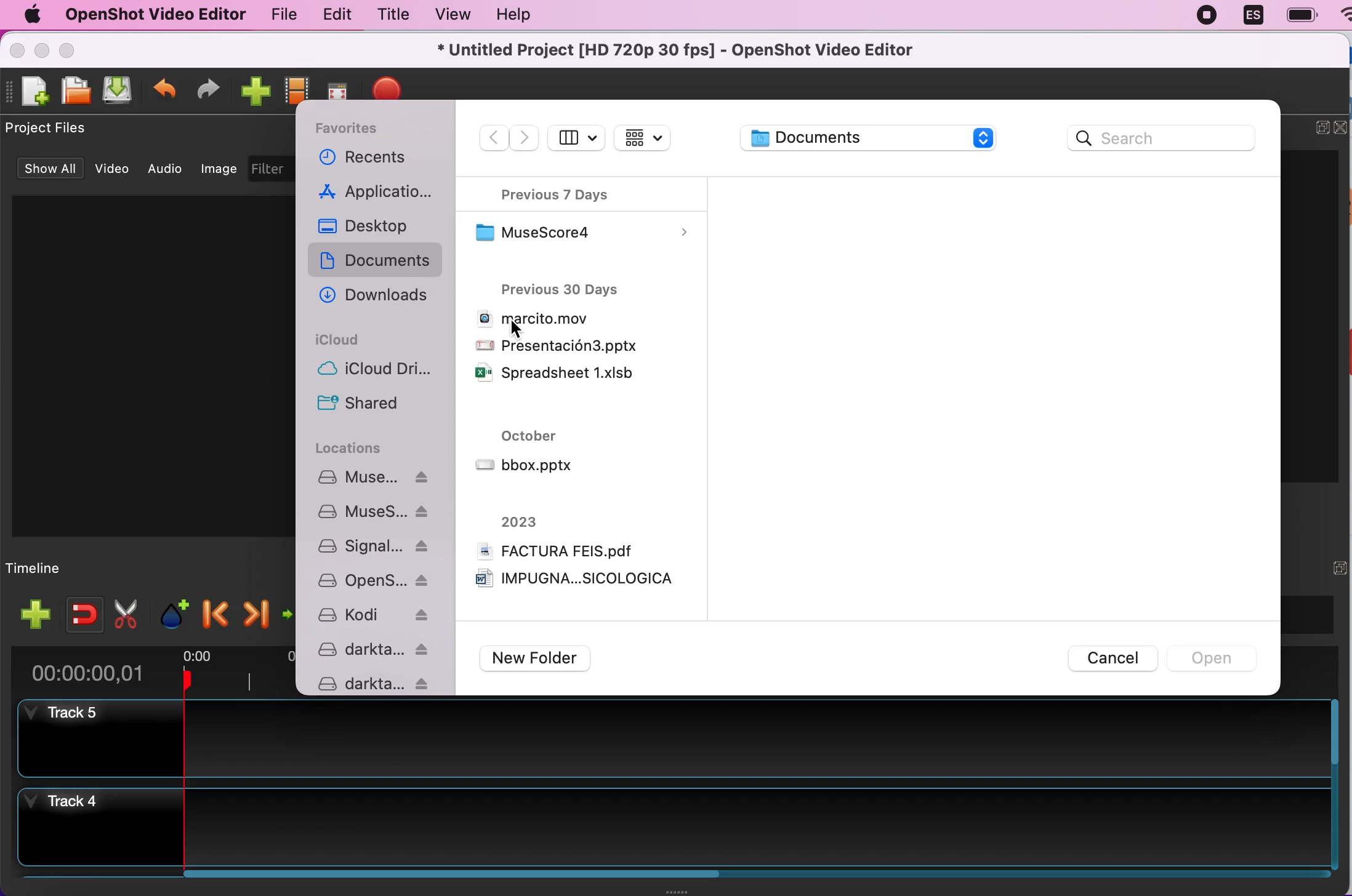 This screenshot has height=896, width=1352. I want to click on expand/hide, so click(1336, 567).